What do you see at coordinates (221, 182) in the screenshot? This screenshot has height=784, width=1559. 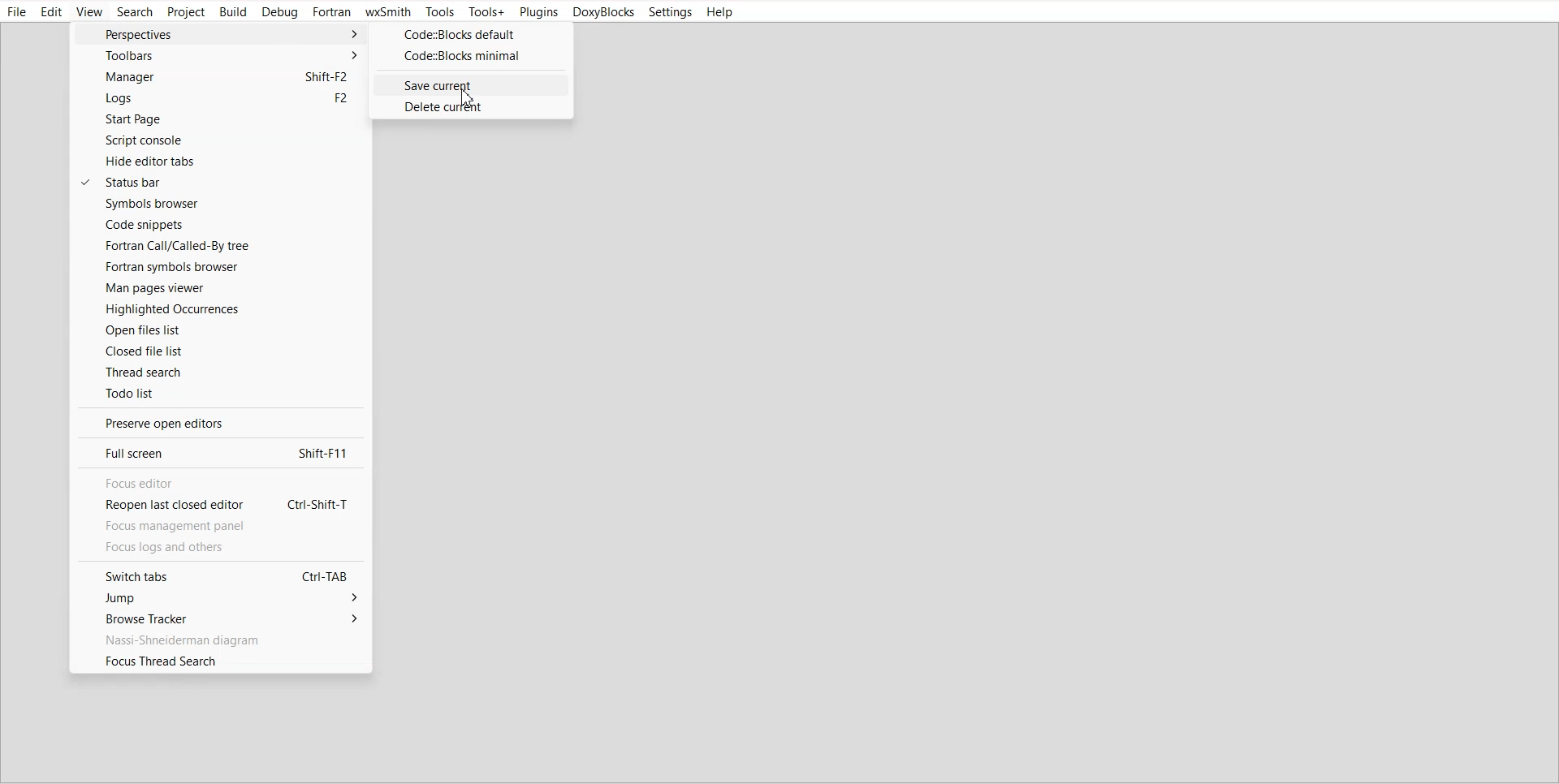 I see `Status bar` at bounding box center [221, 182].